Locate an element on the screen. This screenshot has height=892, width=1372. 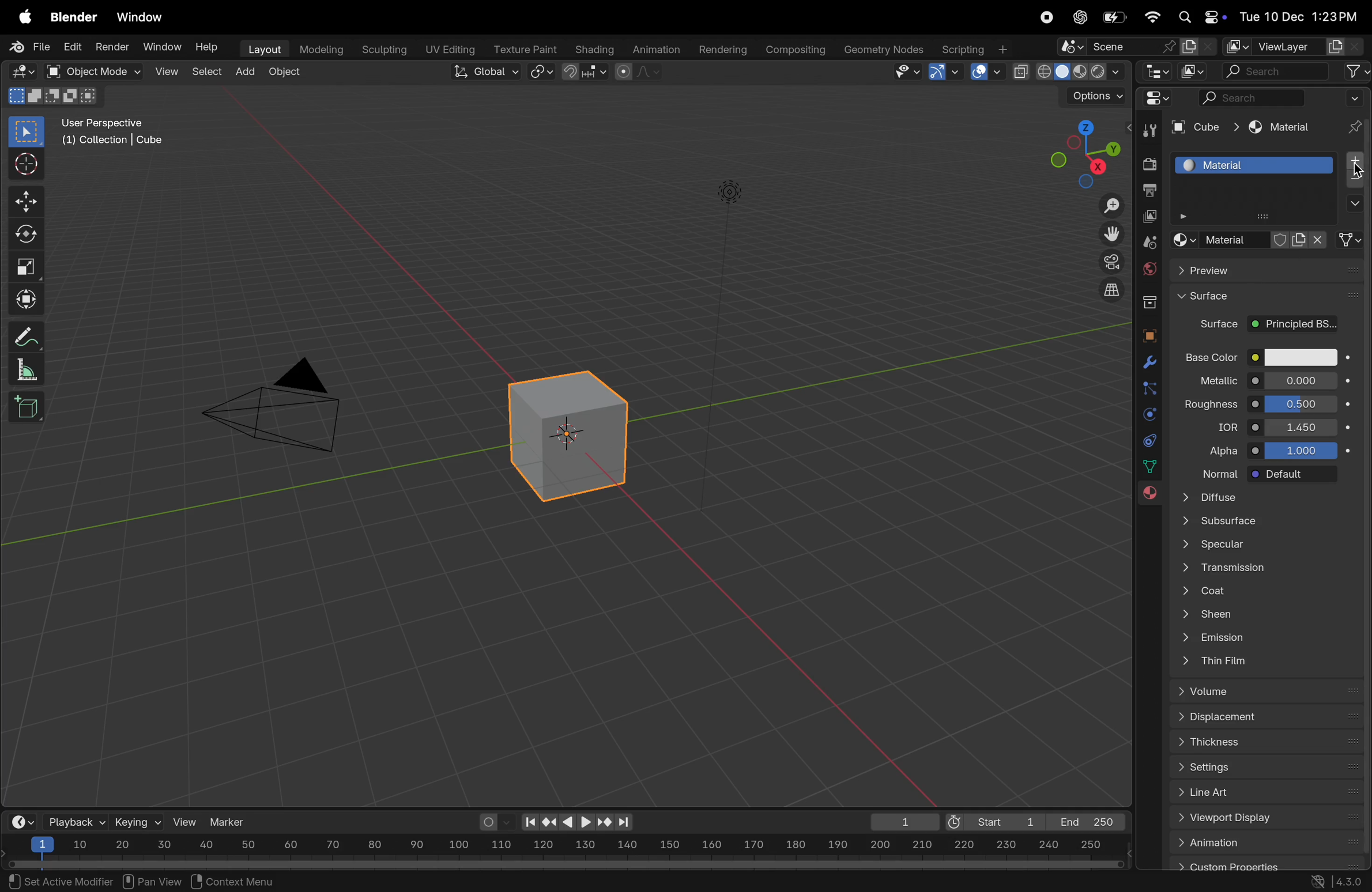
volume is located at coordinates (1261, 690).